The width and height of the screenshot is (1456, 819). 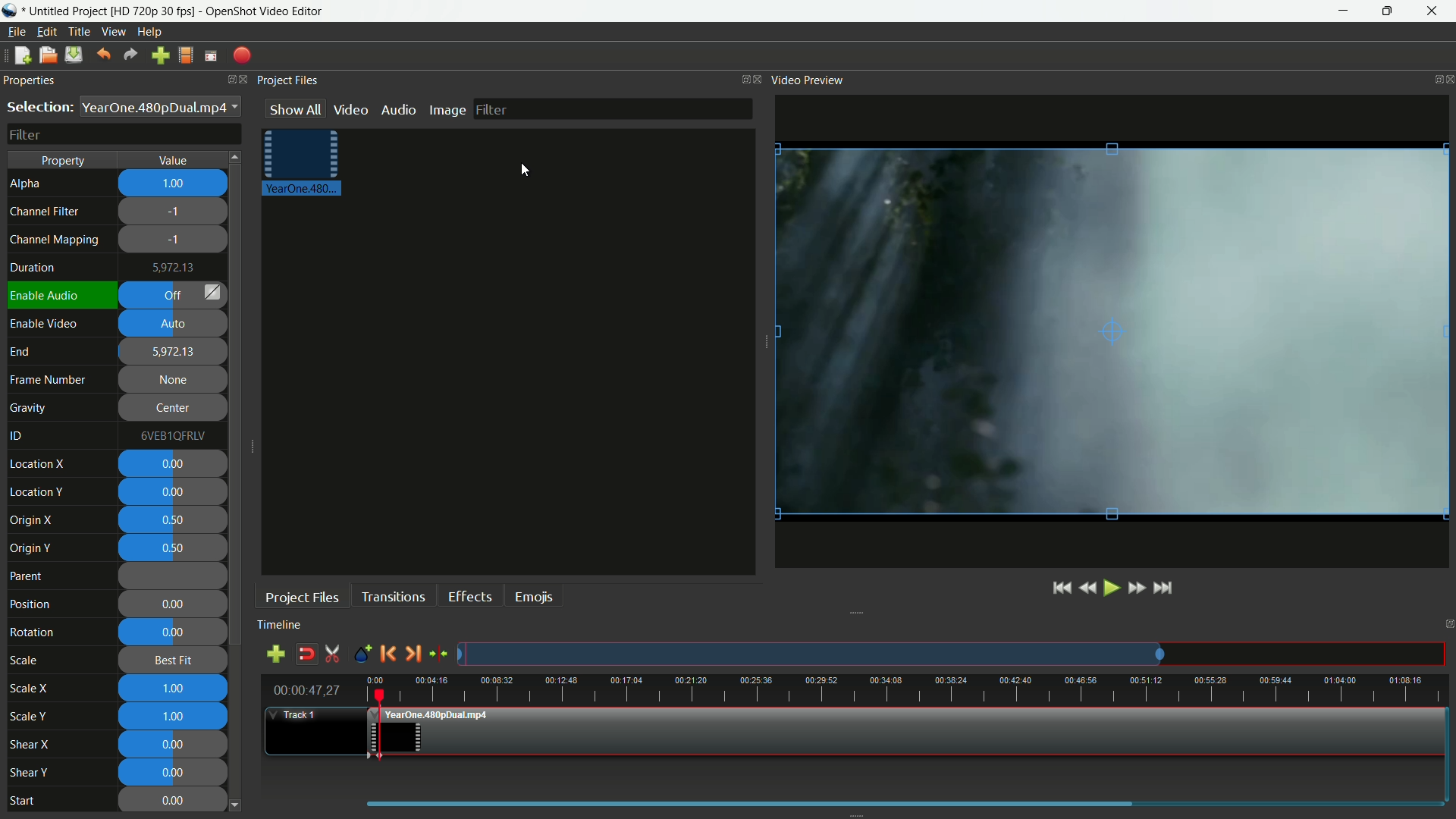 I want to click on 1.00, so click(x=174, y=717).